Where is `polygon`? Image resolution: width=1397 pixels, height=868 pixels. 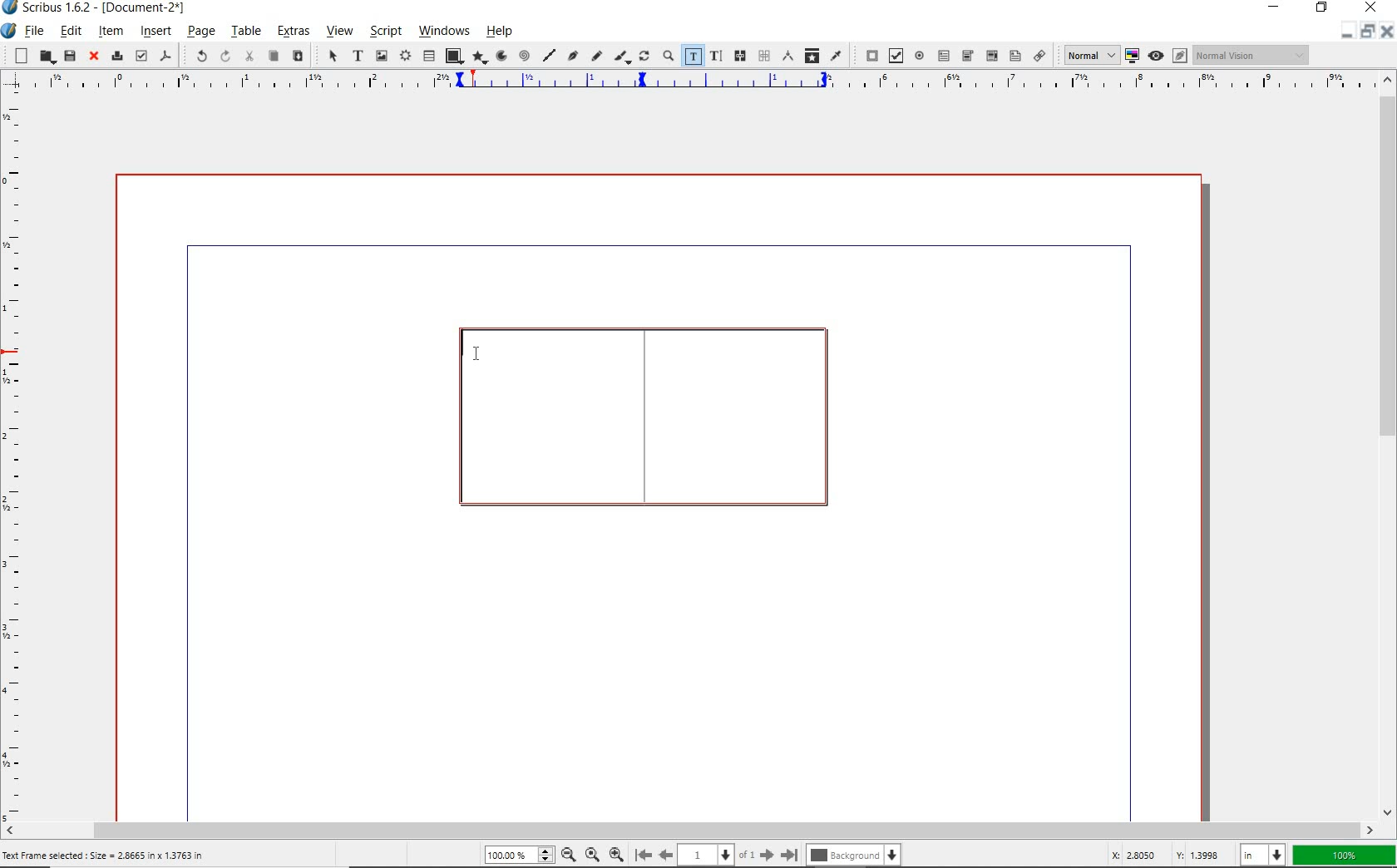 polygon is located at coordinates (477, 57).